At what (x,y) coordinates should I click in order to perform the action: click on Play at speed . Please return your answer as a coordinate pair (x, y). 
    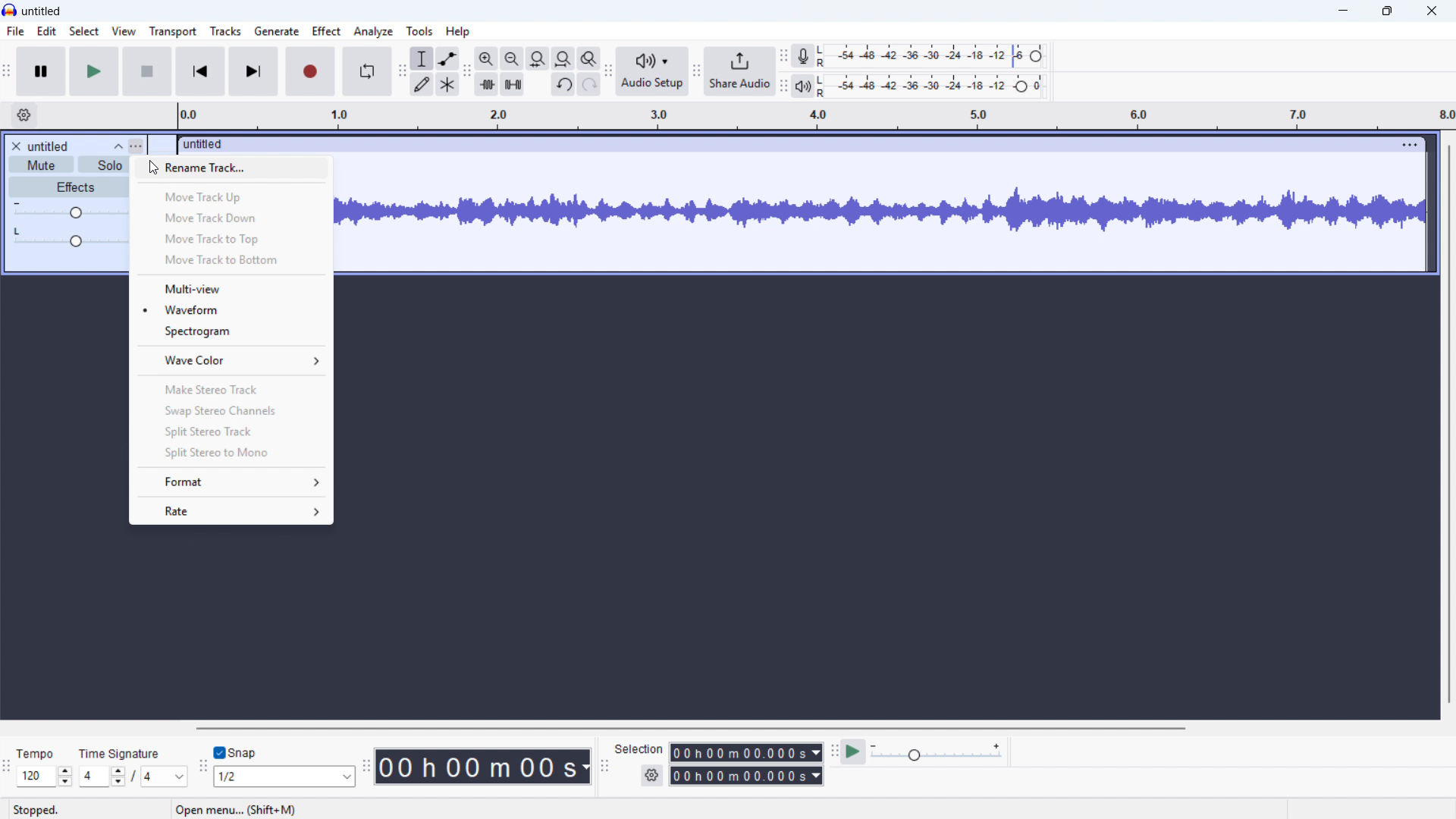
    Looking at the image, I should click on (854, 751).